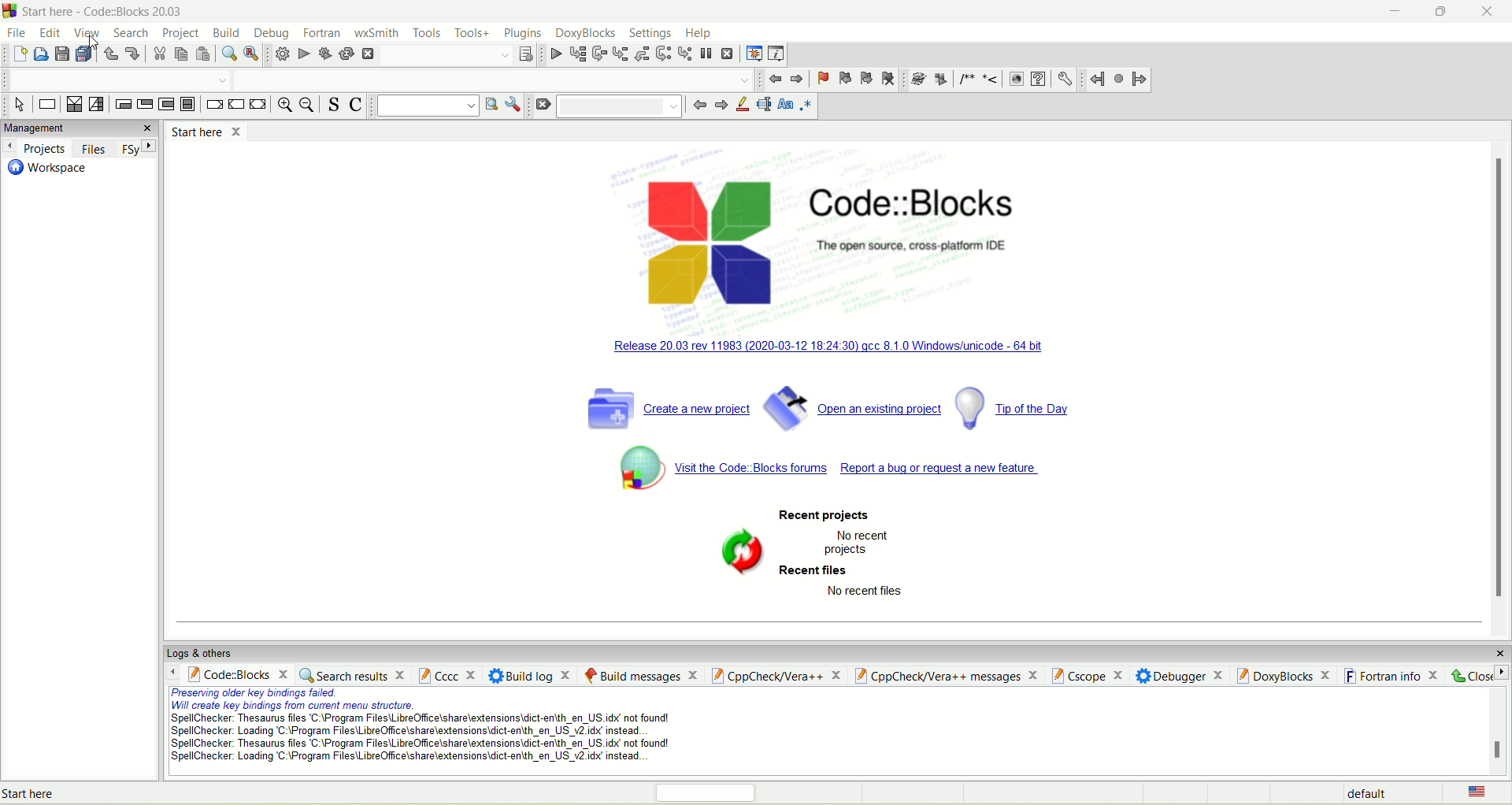  Describe the element at coordinates (39, 54) in the screenshot. I see `open` at that location.